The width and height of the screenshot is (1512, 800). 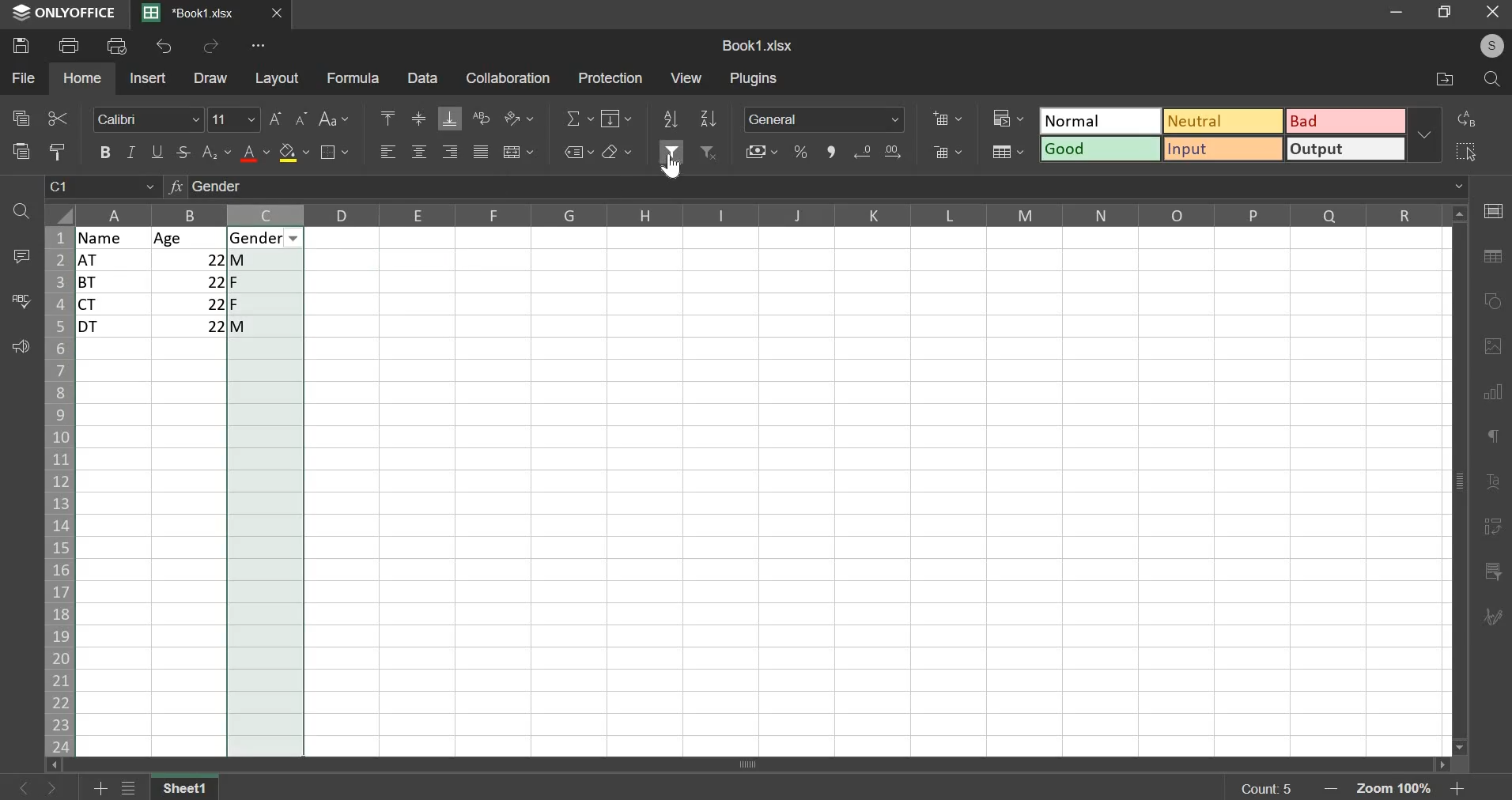 I want to click on font size decrease, so click(x=303, y=117).